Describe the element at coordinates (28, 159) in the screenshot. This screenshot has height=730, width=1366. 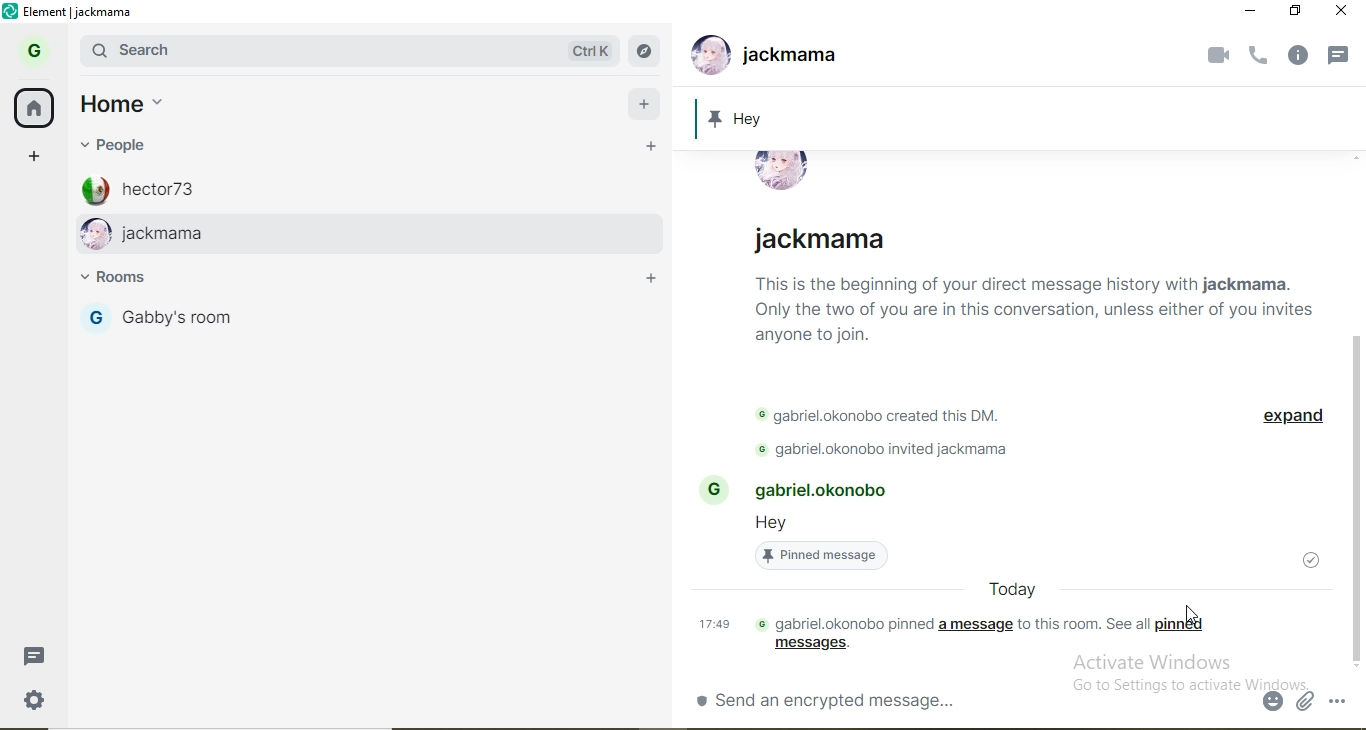
I see `add space` at that location.